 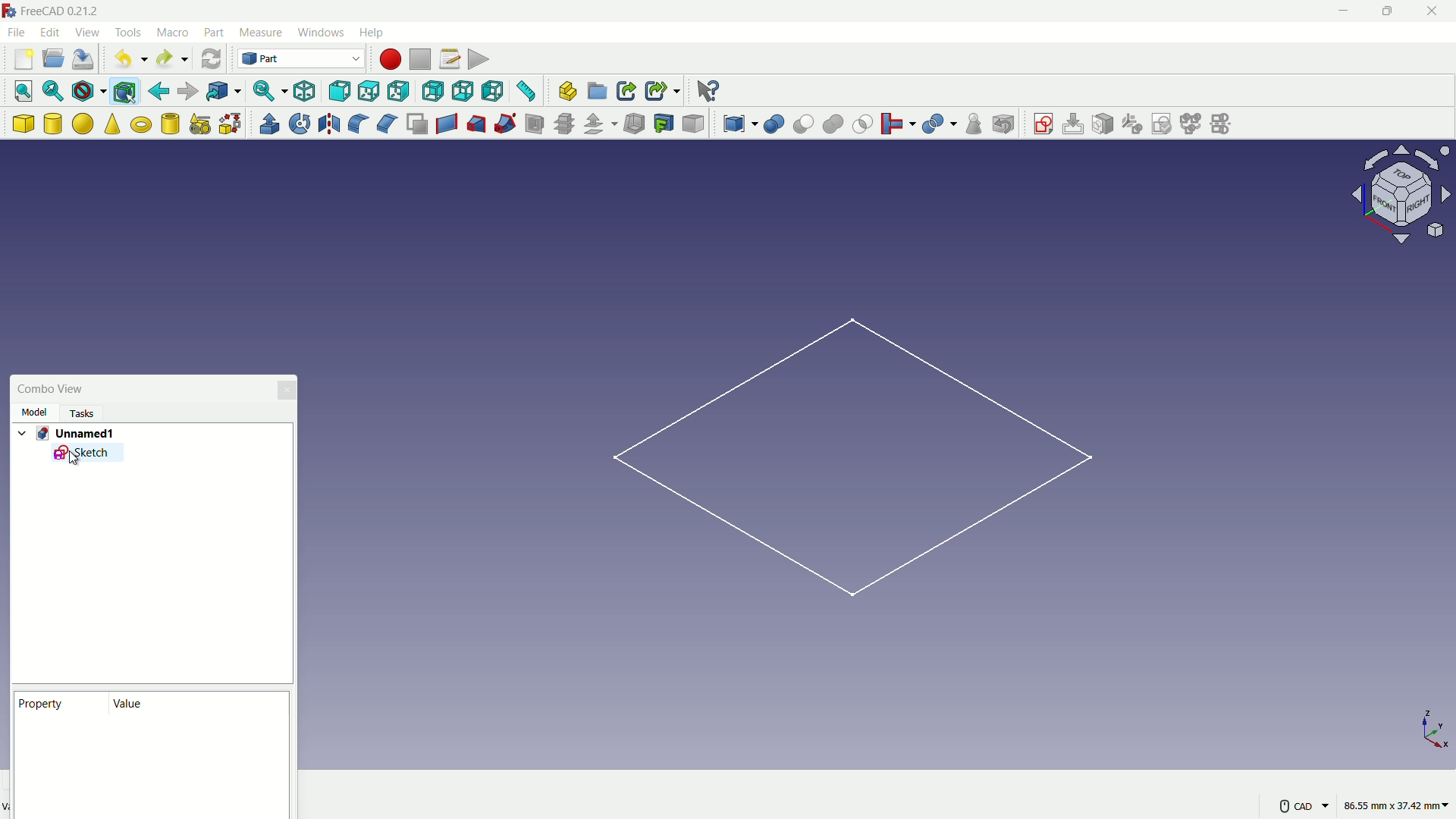 What do you see at coordinates (133, 59) in the screenshot?
I see `undo` at bounding box center [133, 59].